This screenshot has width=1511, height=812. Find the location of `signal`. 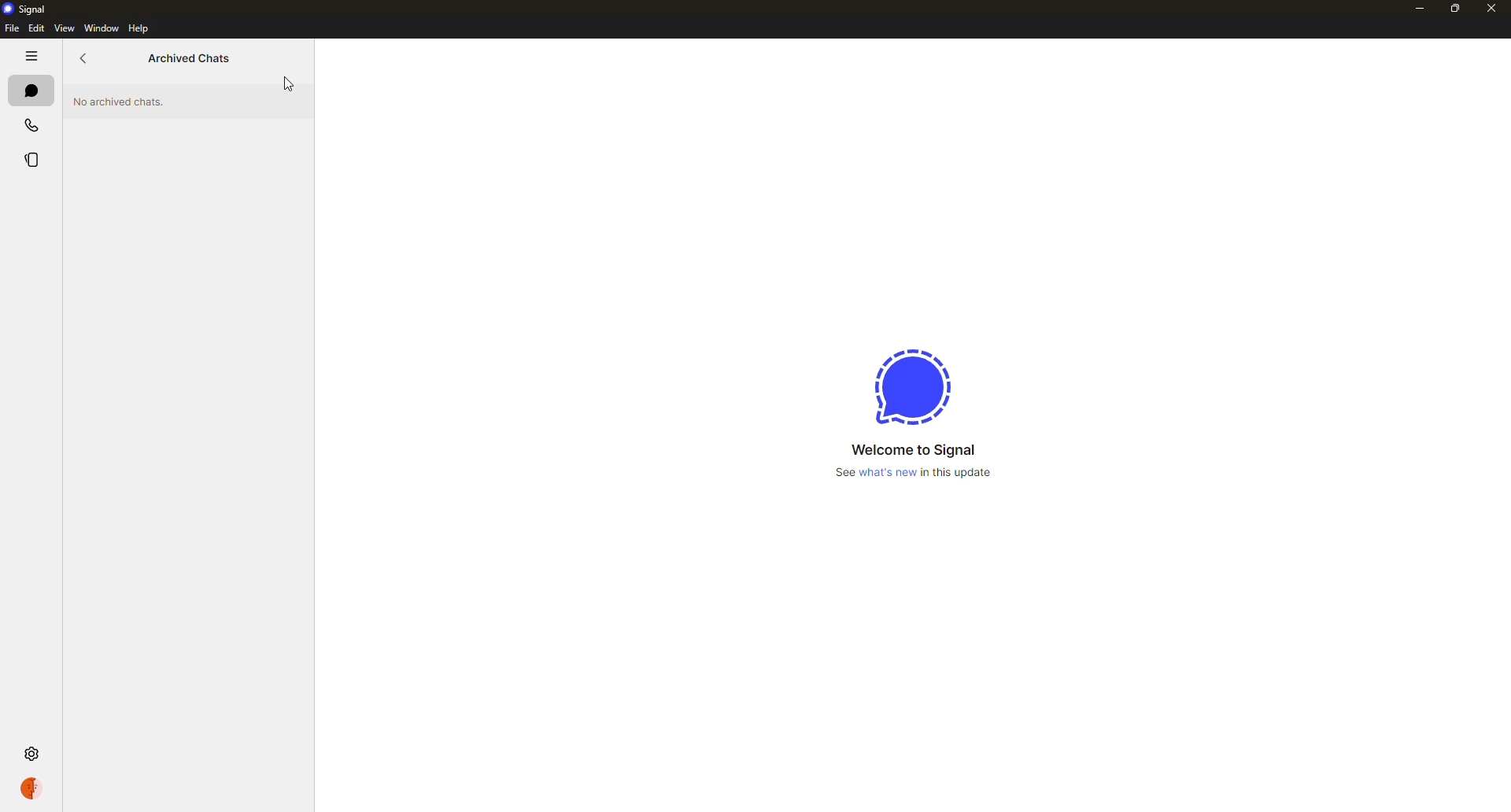

signal is located at coordinates (903, 385).